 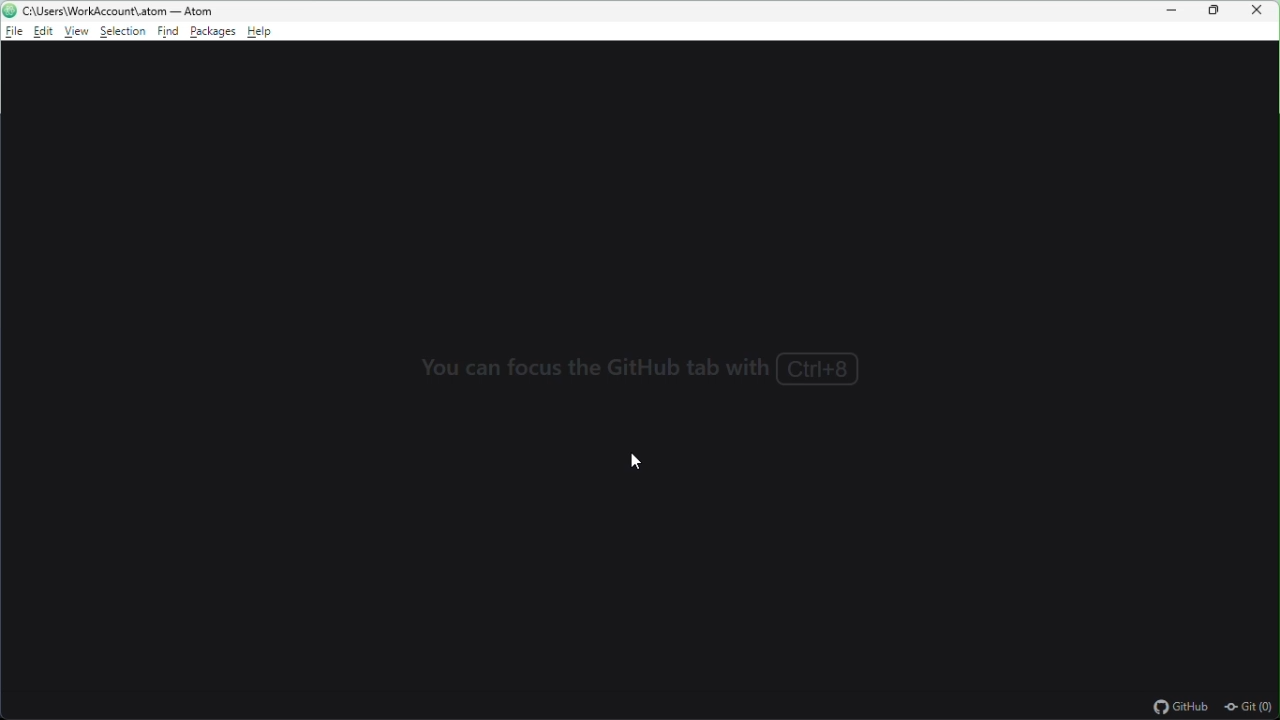 I want to click on You can focus the GitHub tab with Ctrl+8, so click(x=644, y=374).